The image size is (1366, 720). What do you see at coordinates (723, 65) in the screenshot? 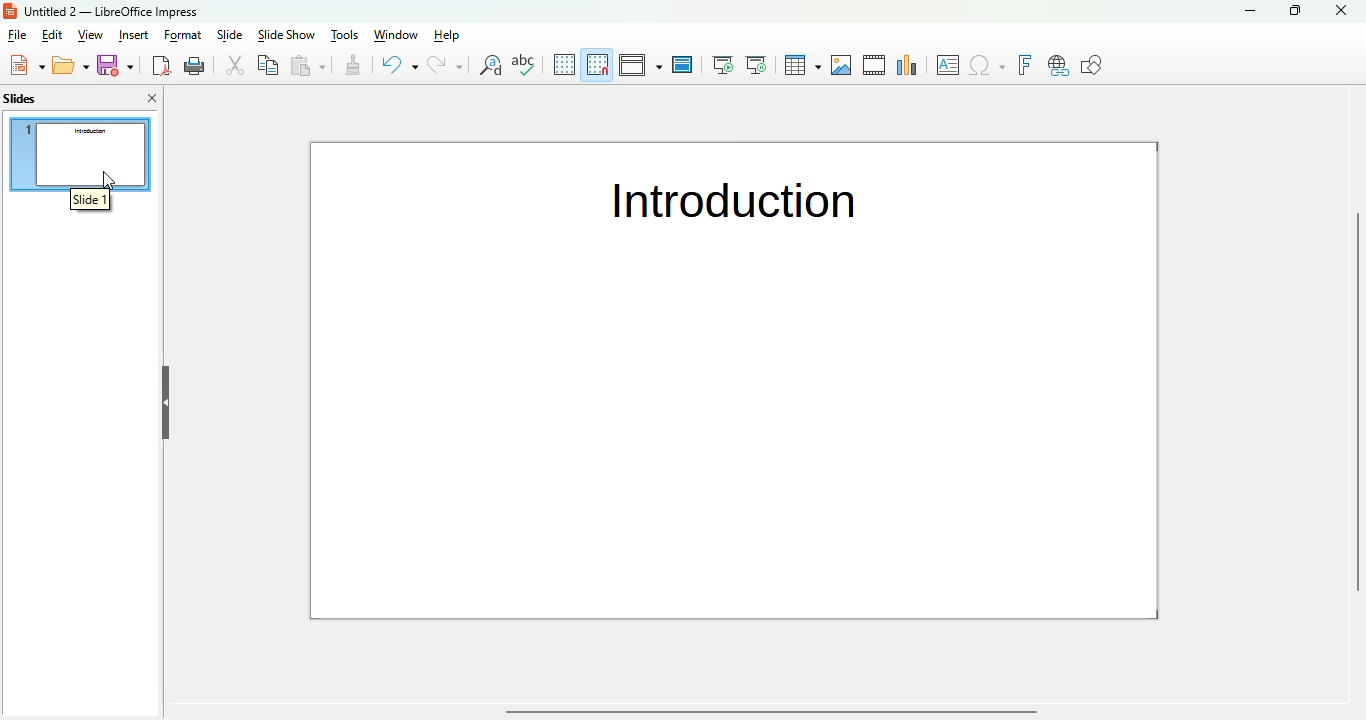
I see `start from first slide` at bounding box center [723, 65].